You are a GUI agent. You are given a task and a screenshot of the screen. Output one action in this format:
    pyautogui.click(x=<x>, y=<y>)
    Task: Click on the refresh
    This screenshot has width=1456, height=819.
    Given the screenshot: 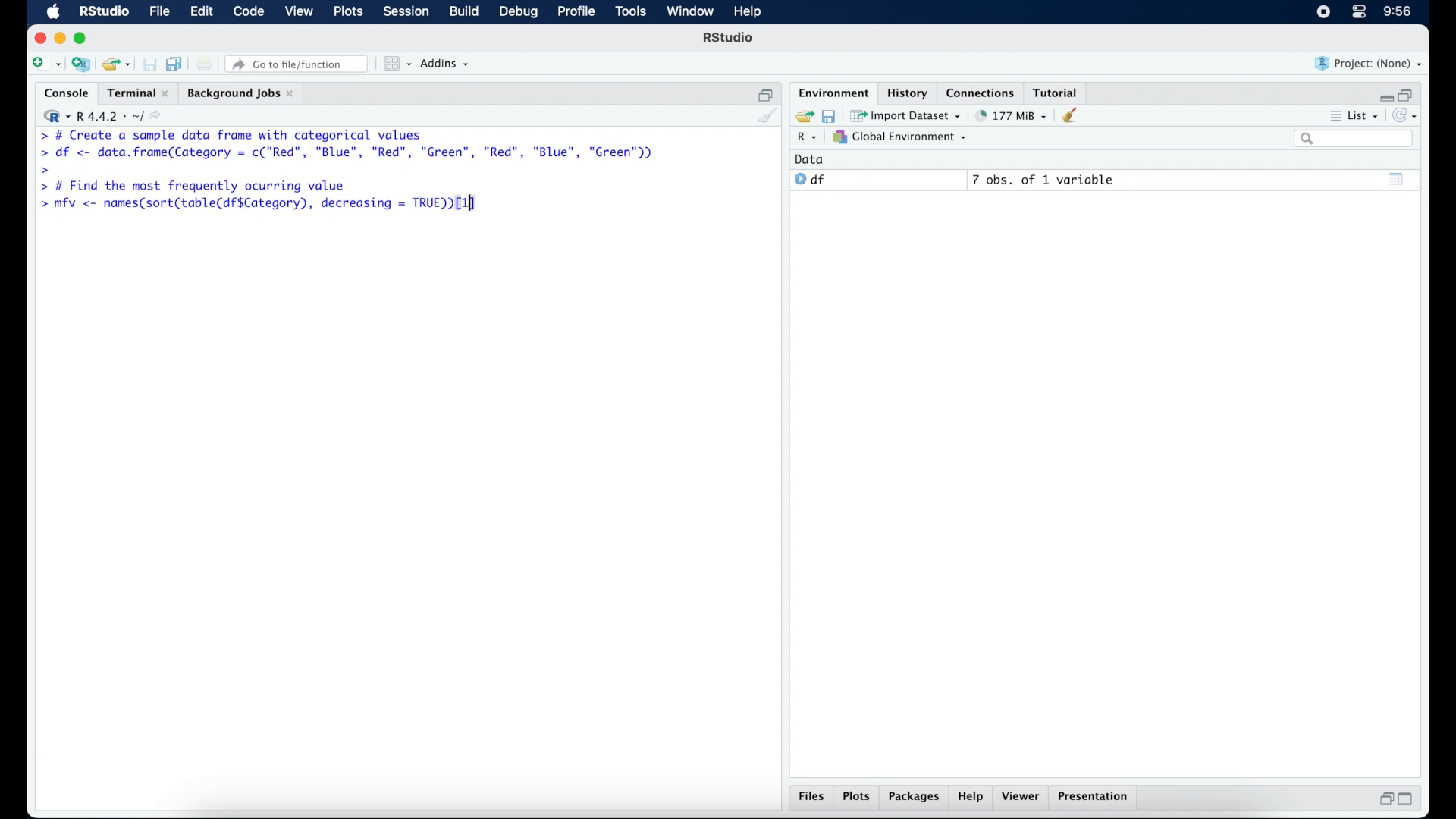 What is the action you would take?
    pyautogui.click(x=1407, y=115)
    